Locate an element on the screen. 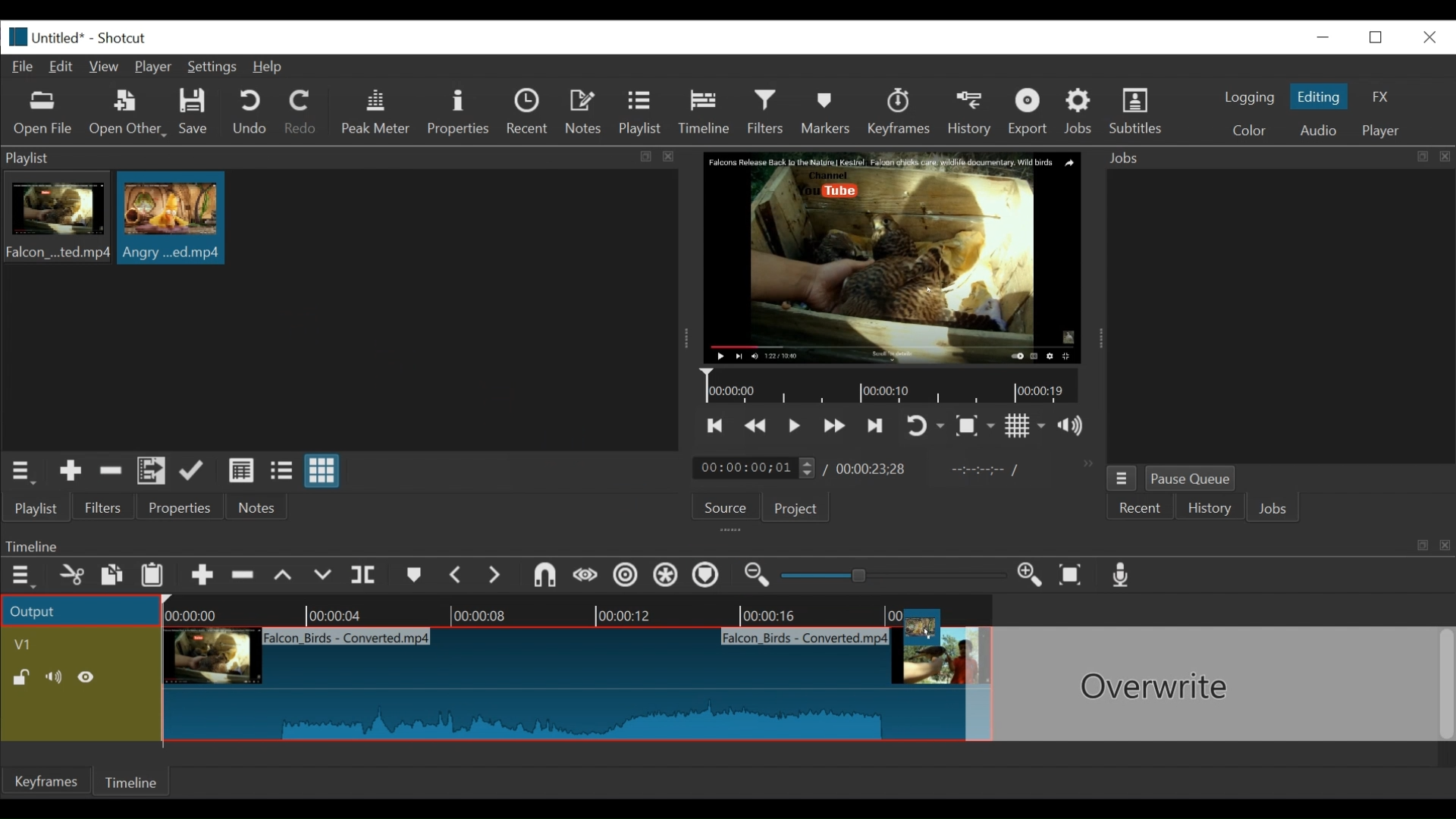 The height and width of the screenshot is (819, 1456). Edit is located at coordinates (64, 65).